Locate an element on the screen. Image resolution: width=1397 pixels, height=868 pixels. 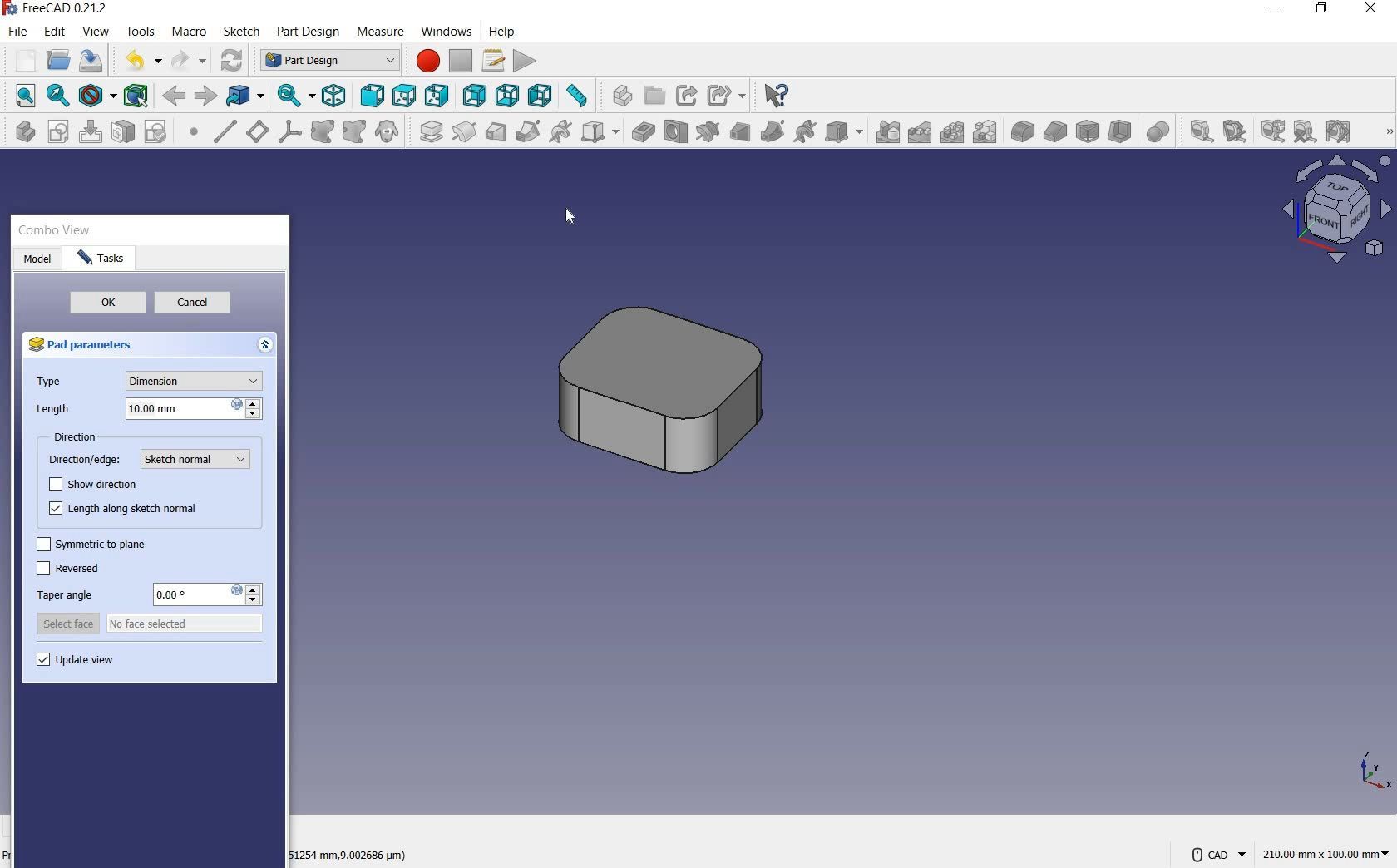
fit selection is located at coordinates (58, 97).